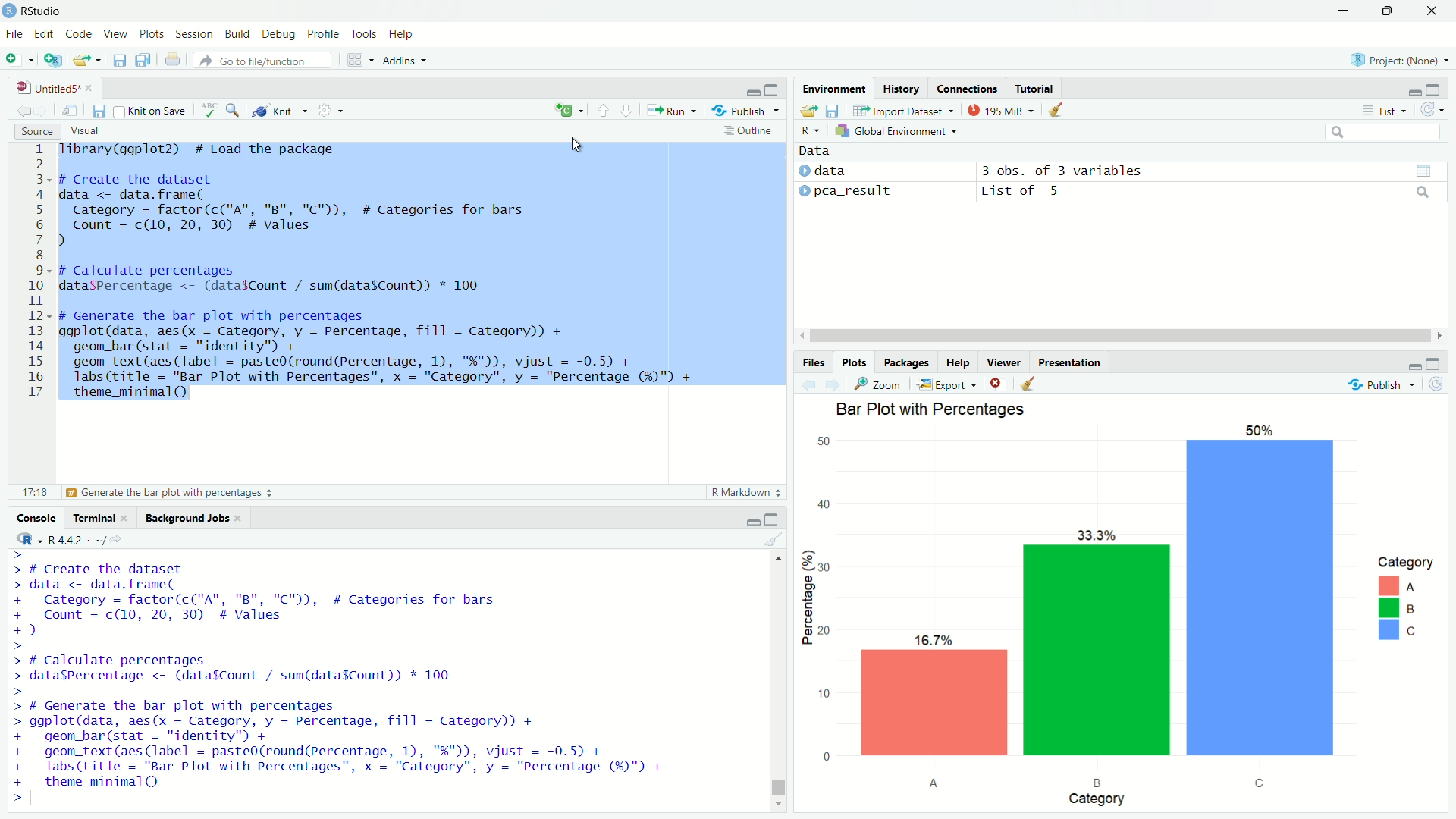  I want to click on run, so click(669, 111).